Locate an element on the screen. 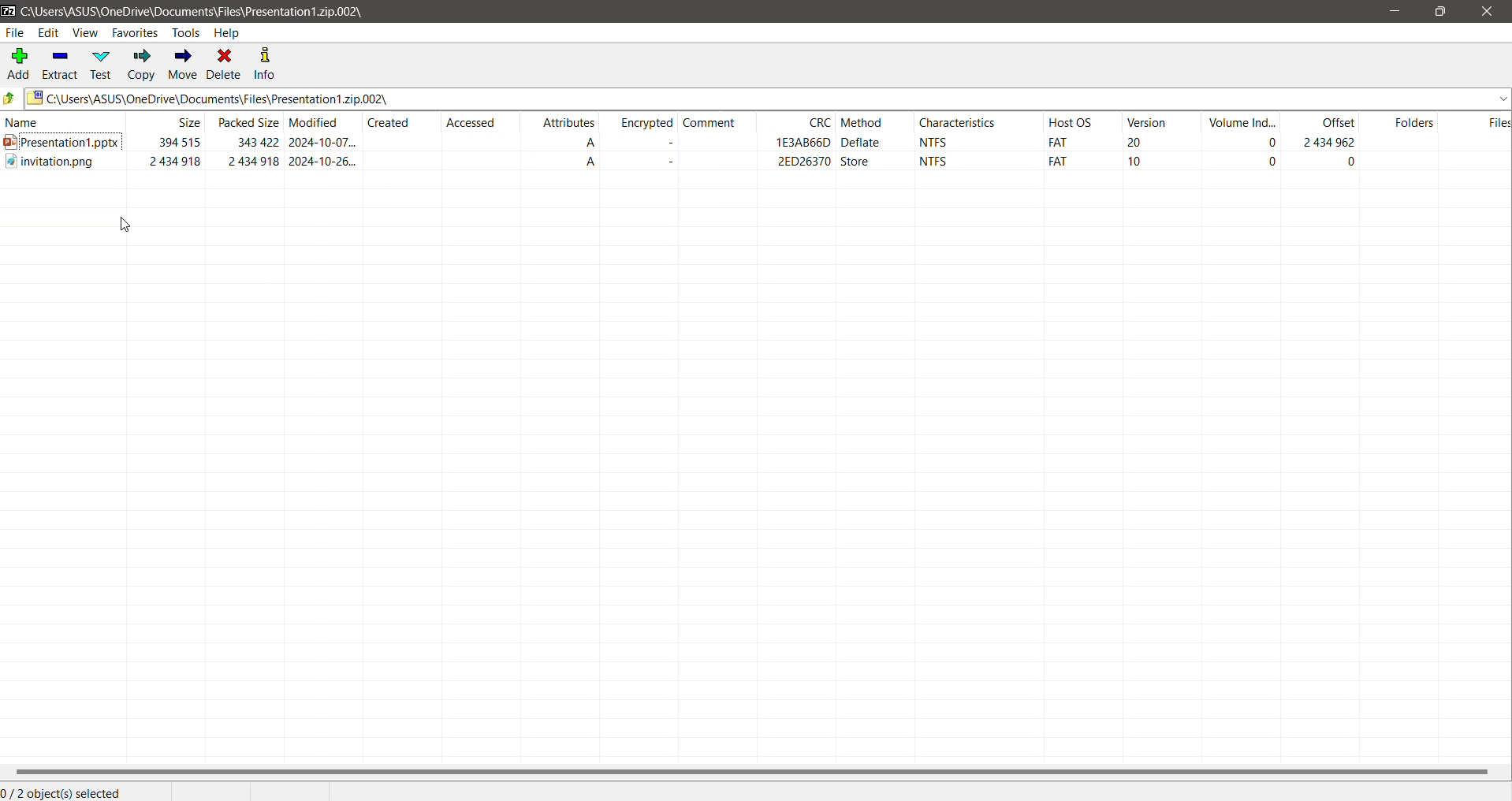  2ED26370 is located at coordinates (808, 162).